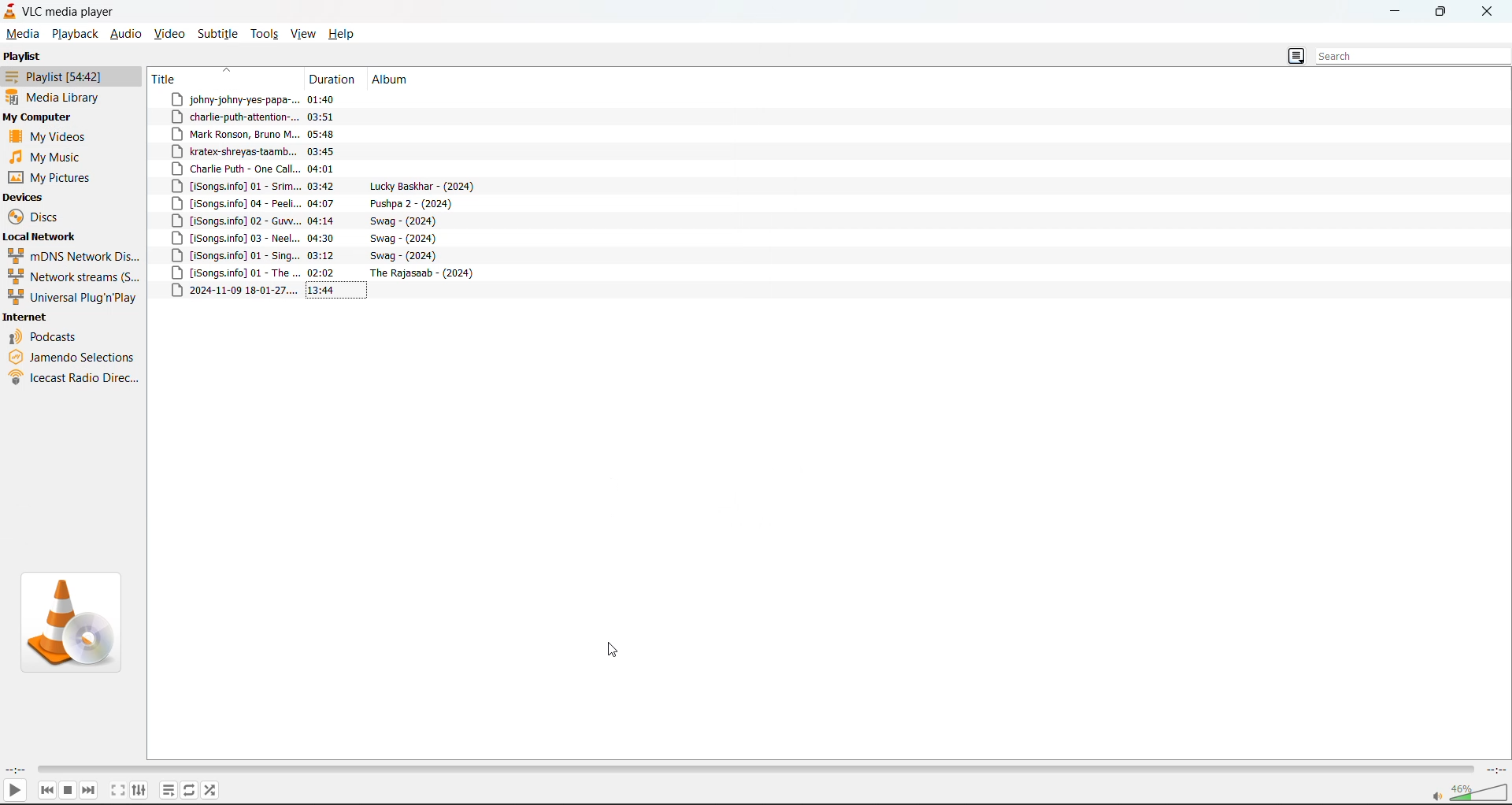 Image resolution: width=1512 pixels, height=805 pixels. What do you see at coordinates (1490, 11) in the screenshot?
I see `close` at bounding box center [1490, 11].